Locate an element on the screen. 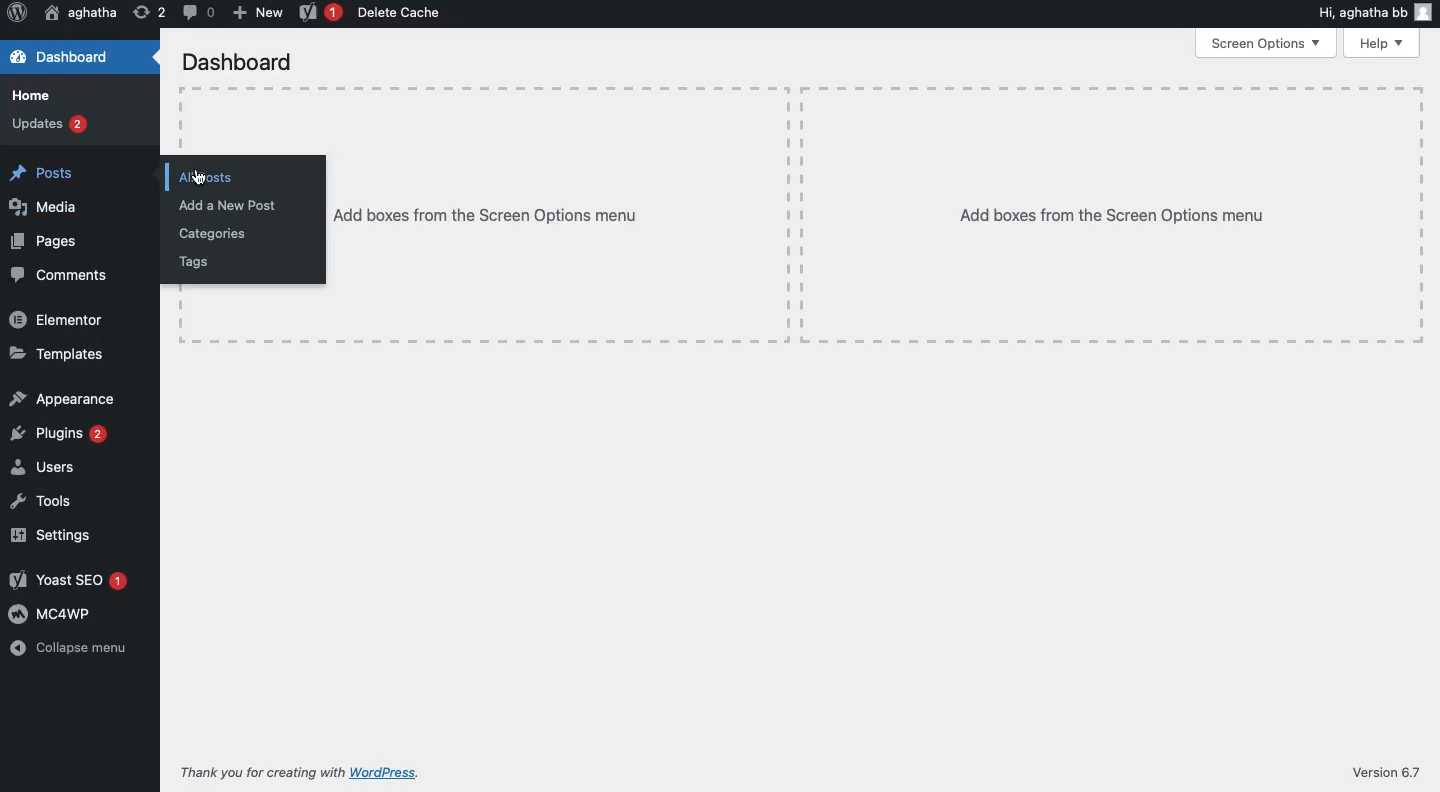  Users is located at coordinates (43, 465).